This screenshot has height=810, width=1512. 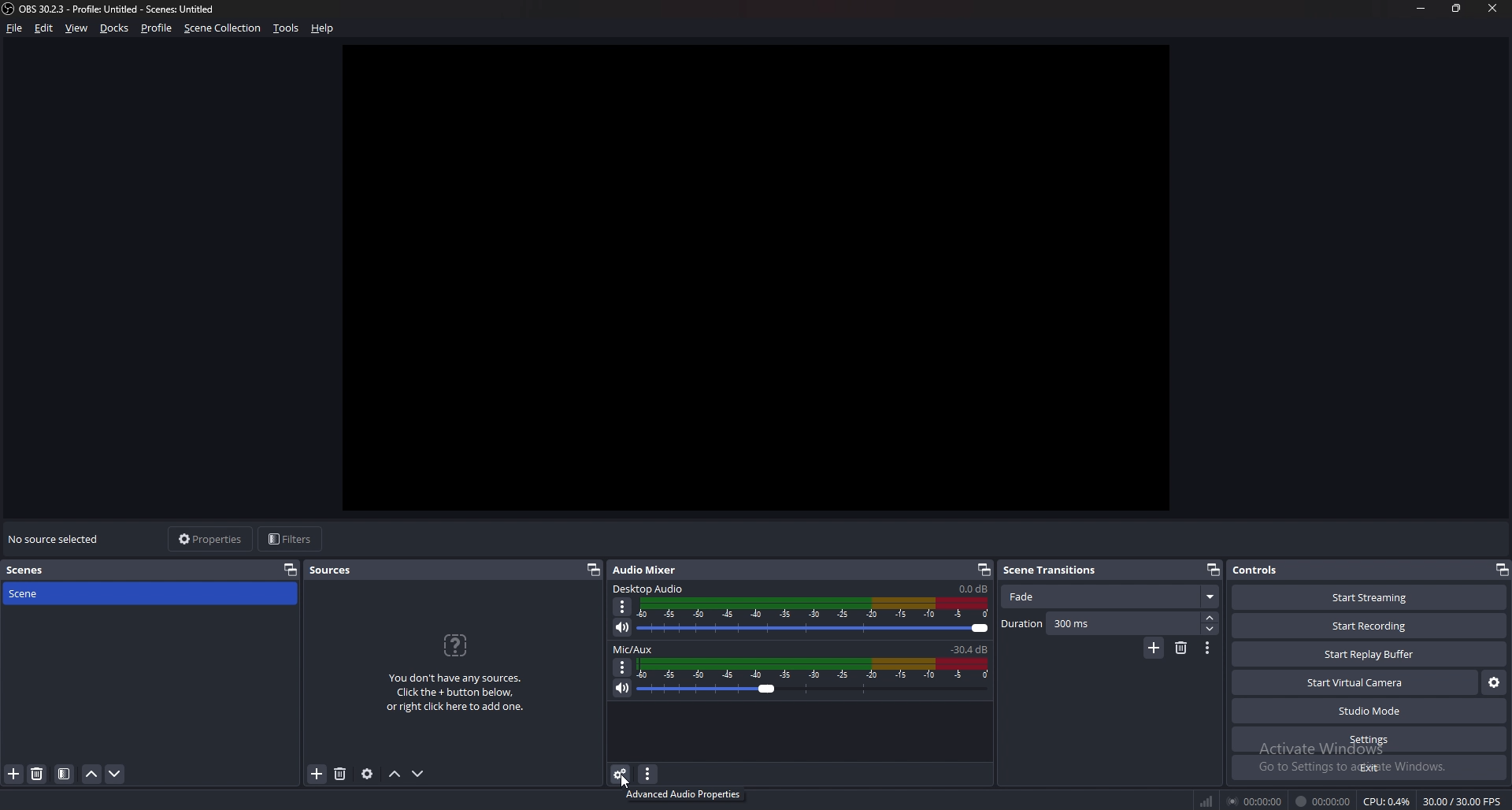 I want to click on desktop audio adjust, so click(x=817, y=616).